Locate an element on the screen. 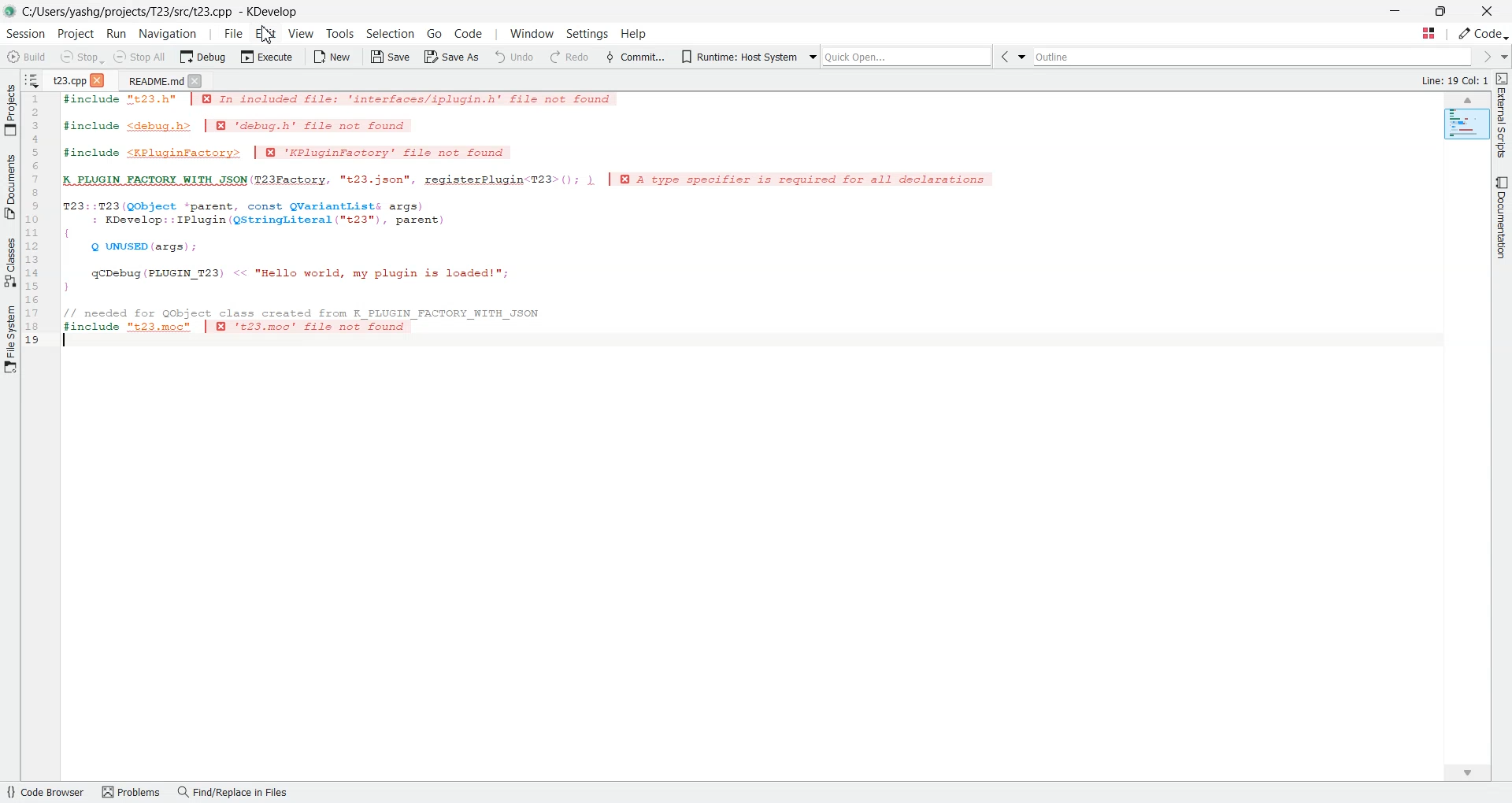  Commit is located at coordinates (634, 56).